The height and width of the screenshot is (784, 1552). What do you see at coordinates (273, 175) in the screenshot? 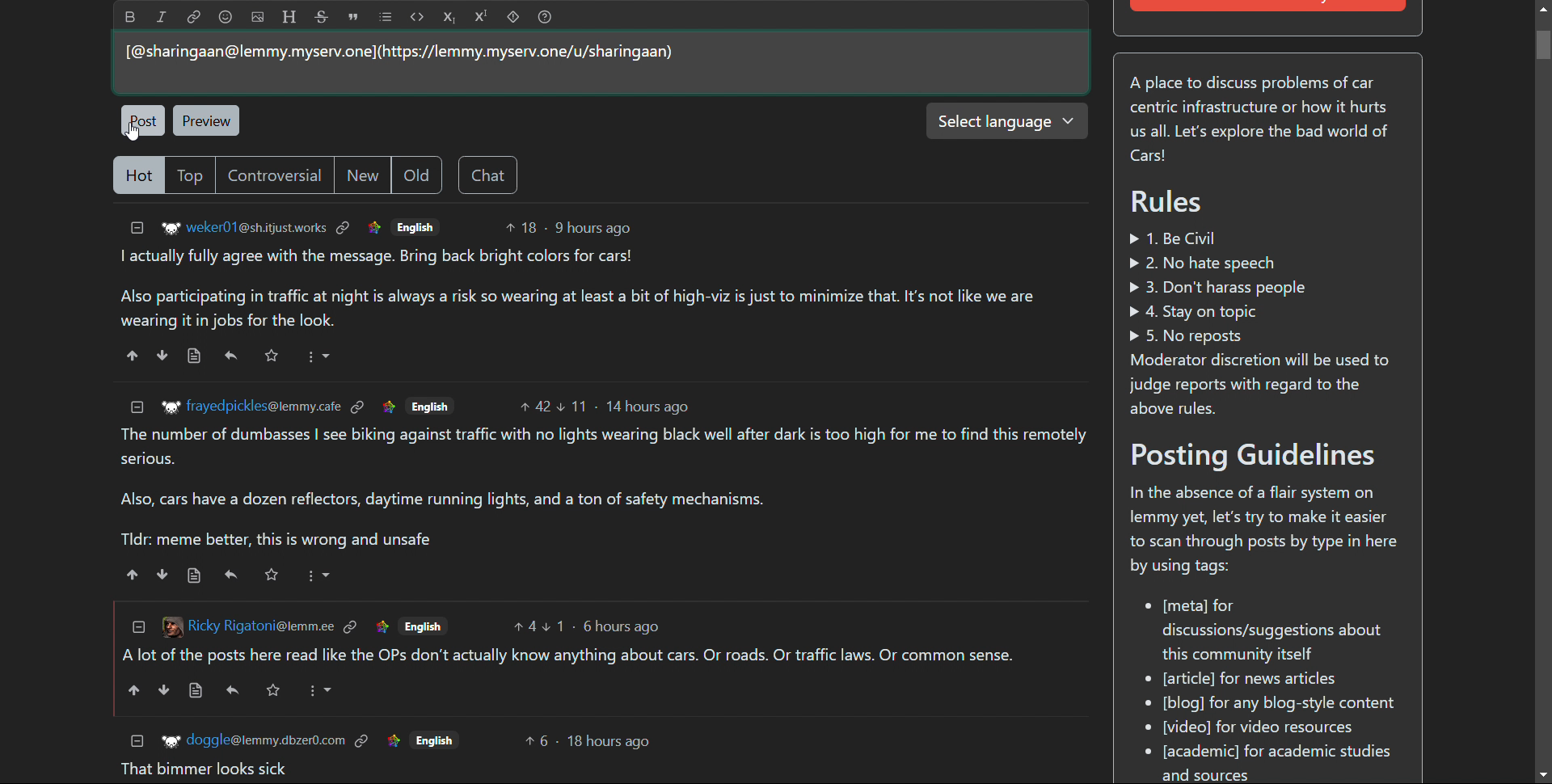
I see `controversial` at bounding box center [273, 175].